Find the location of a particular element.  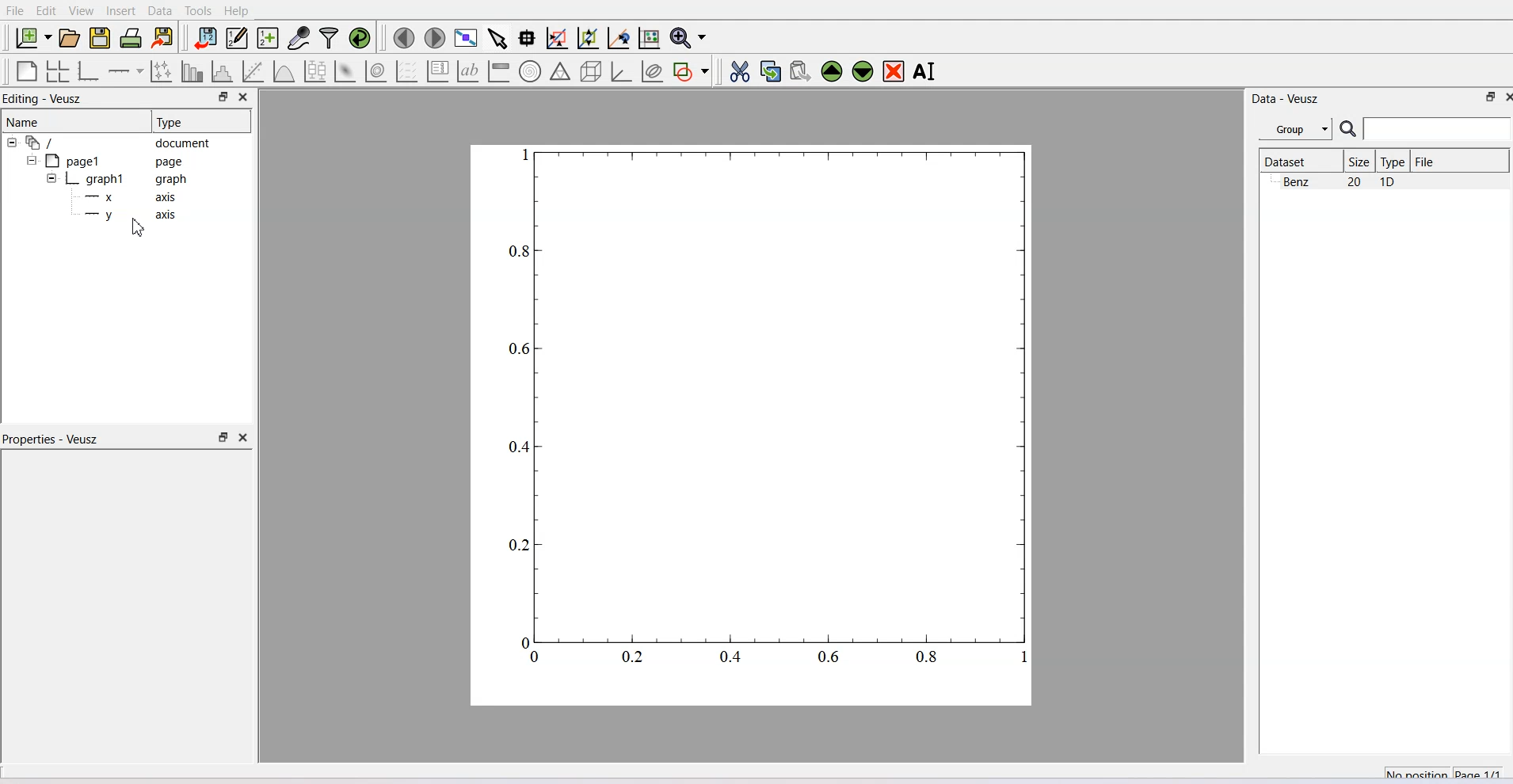

Page is located at coordinates (120, 161).